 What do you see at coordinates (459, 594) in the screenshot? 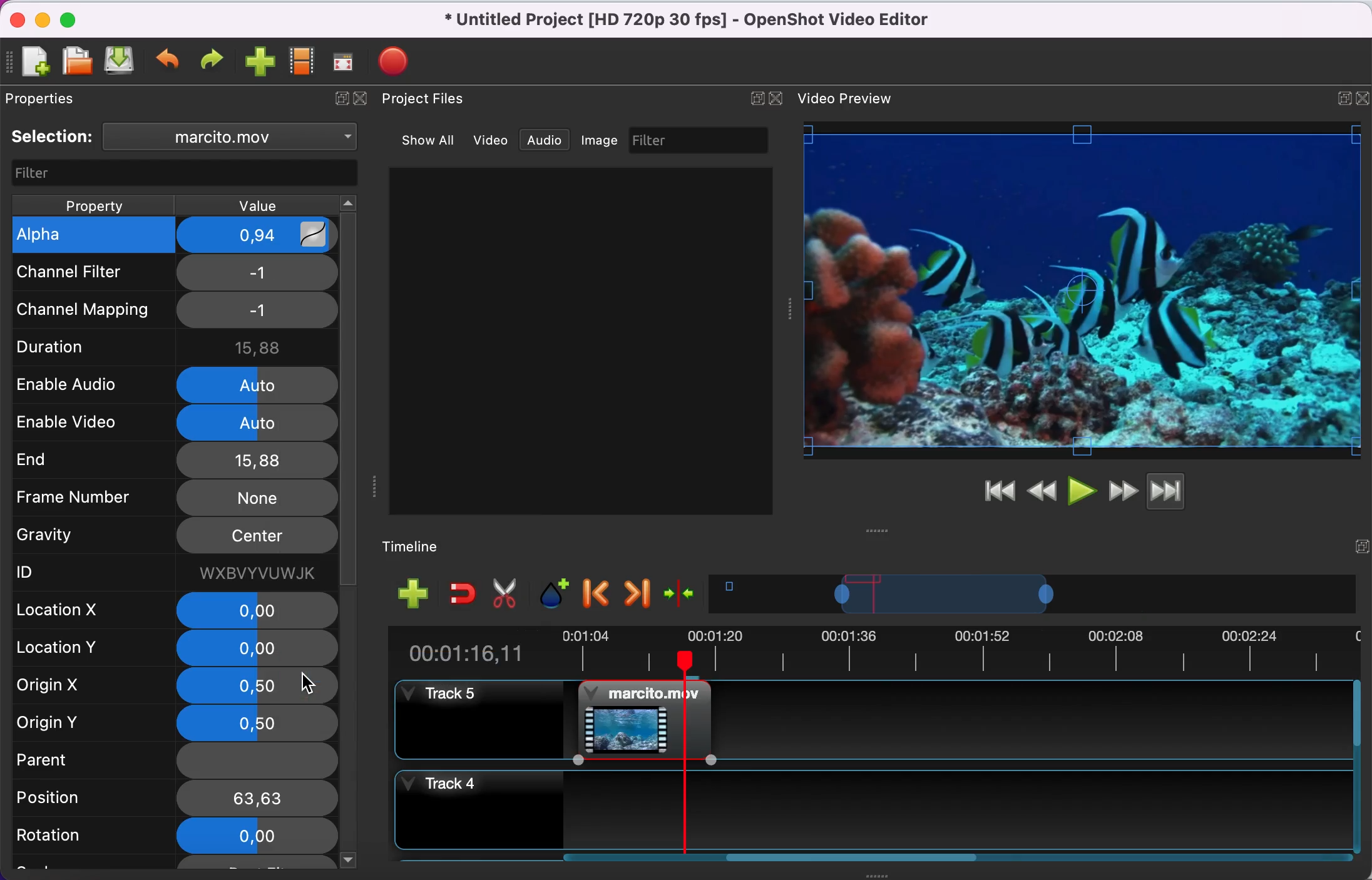
I see `enable snapping` at bounding box center [459, 594].